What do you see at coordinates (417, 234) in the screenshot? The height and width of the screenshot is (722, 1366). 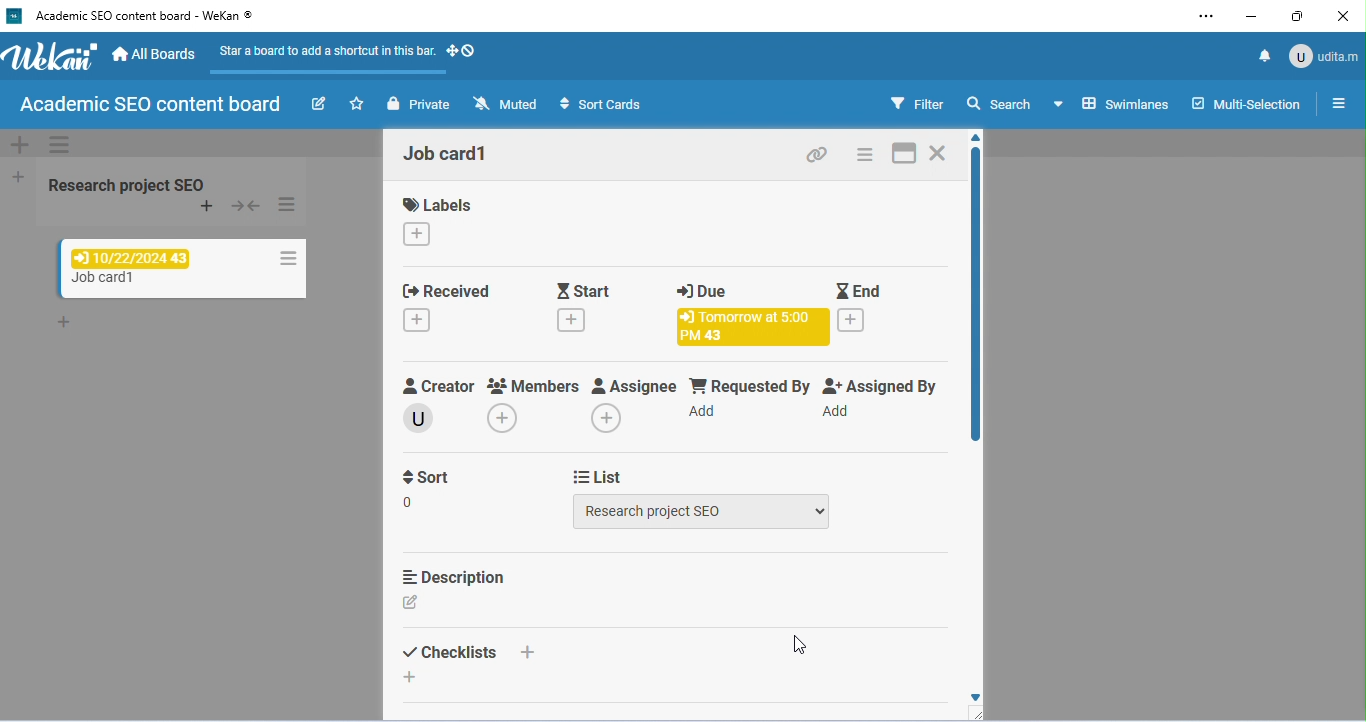 I see `change labels` at bounding box center [417, 234].